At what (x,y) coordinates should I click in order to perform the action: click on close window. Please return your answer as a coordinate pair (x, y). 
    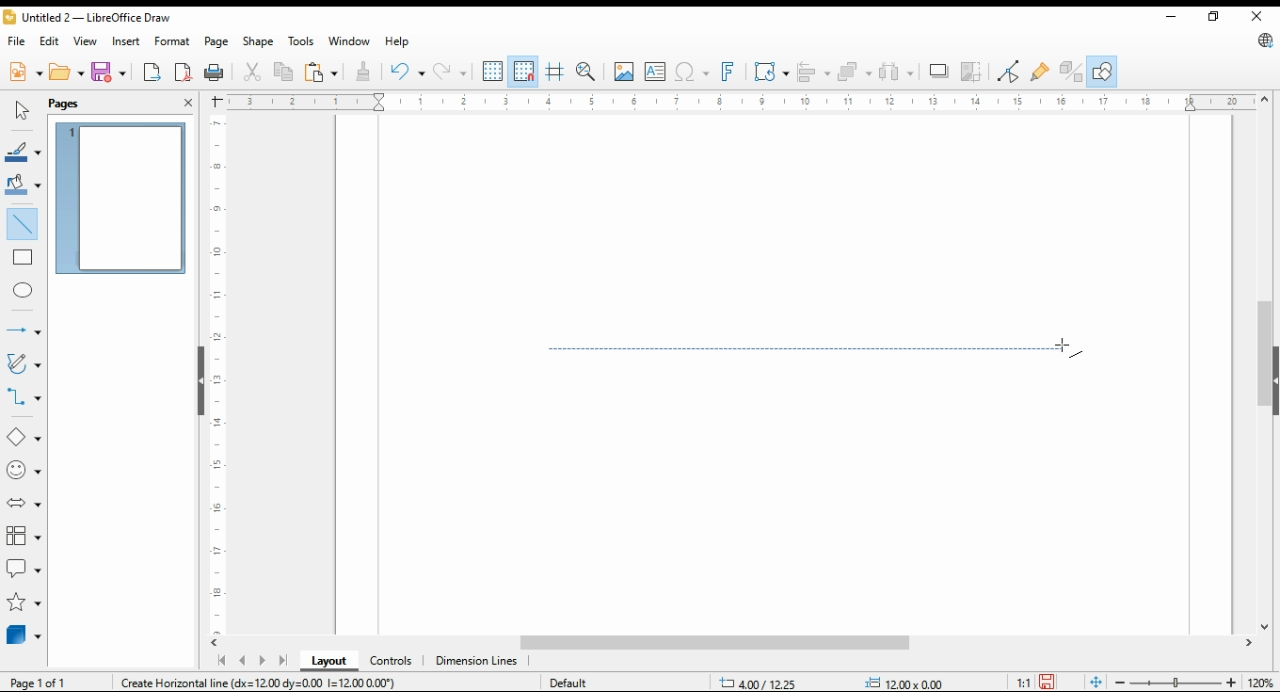
    Looking at the image, I should click on (1258, 16).